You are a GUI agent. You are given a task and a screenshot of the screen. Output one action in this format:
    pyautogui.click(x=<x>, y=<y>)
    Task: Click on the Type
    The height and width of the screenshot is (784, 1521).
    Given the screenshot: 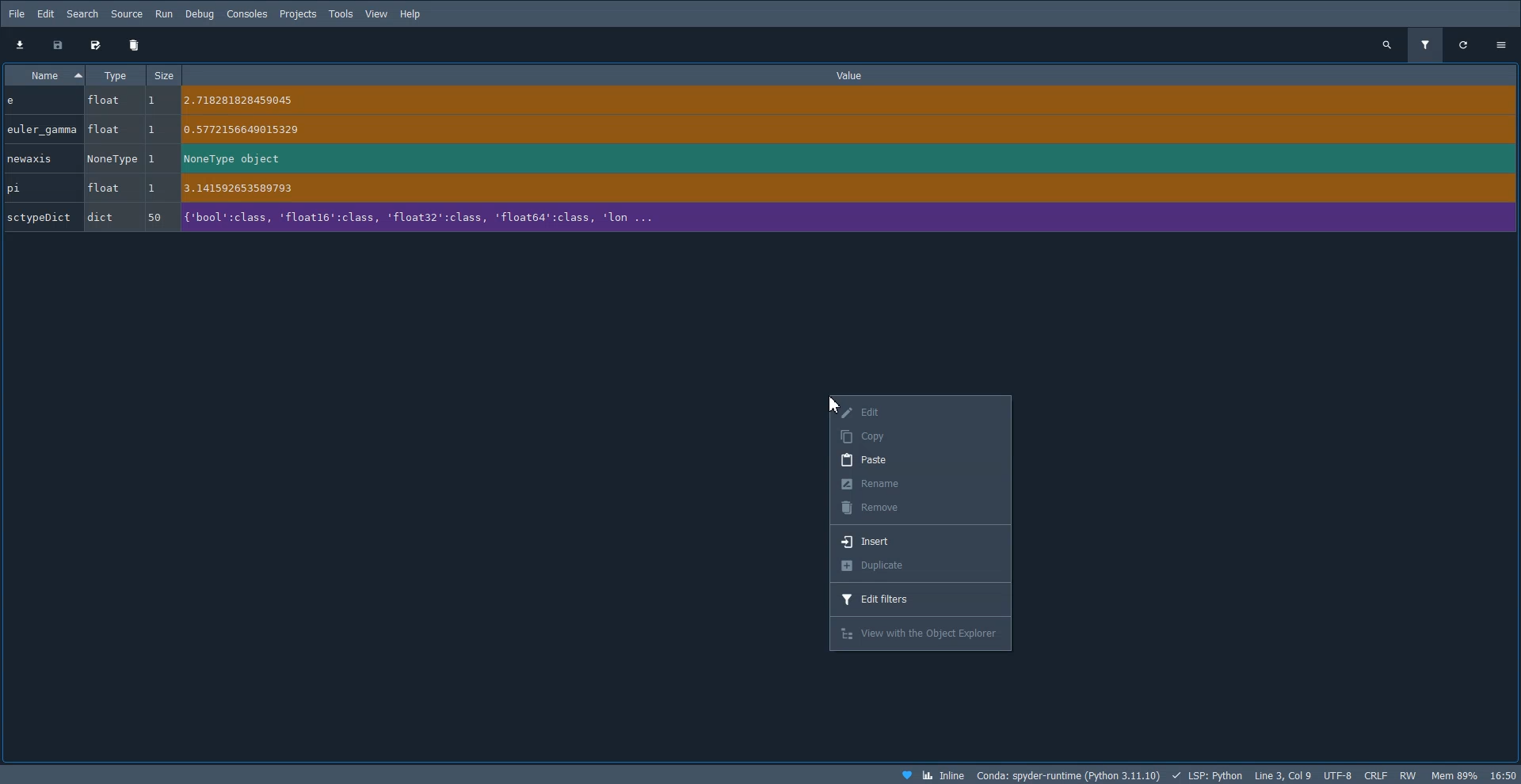 What is the action you would take?
    pyautogui.click(x=115, y=74)
    